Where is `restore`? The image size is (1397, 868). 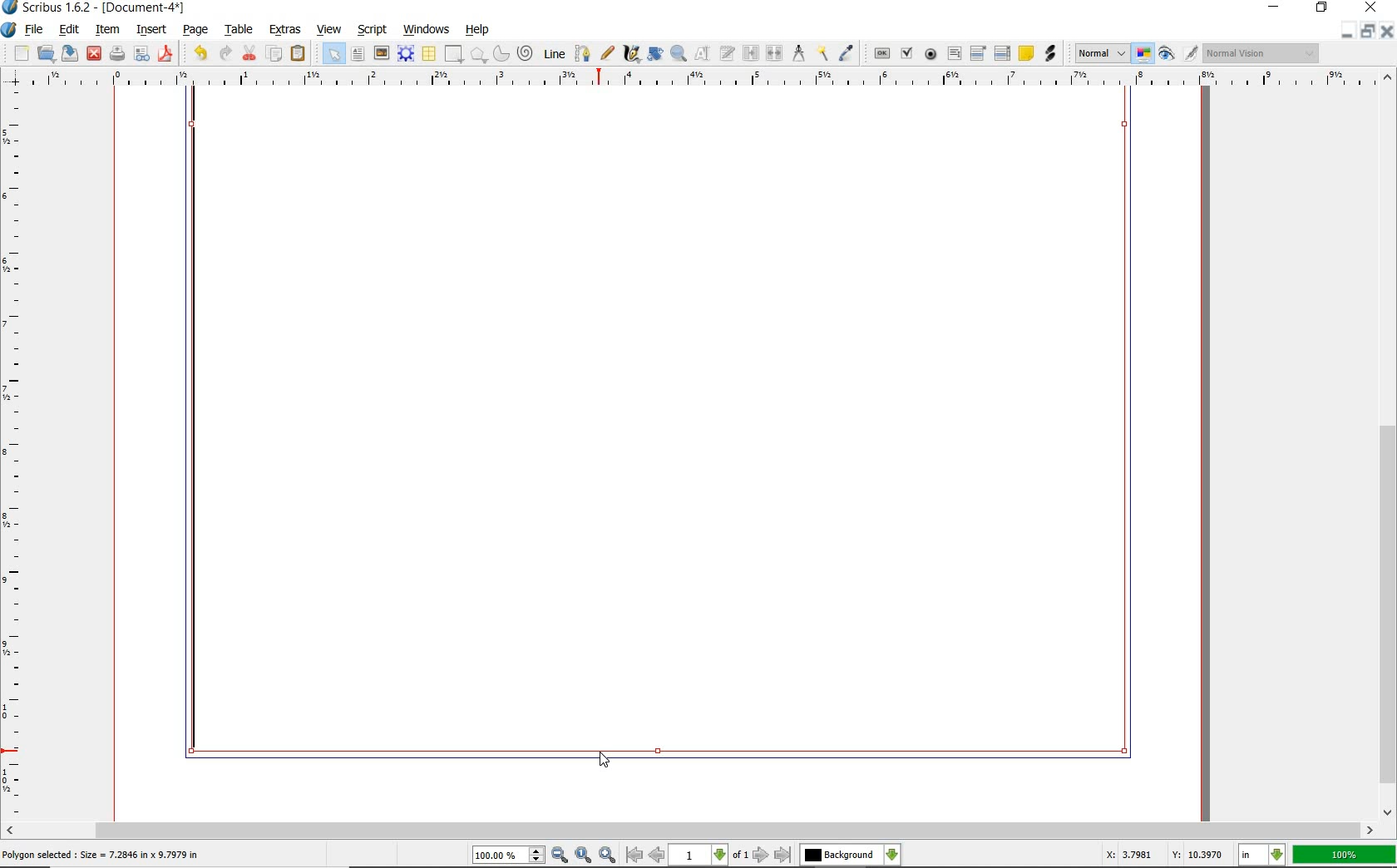
restore is located at coordinates (1321, 9).